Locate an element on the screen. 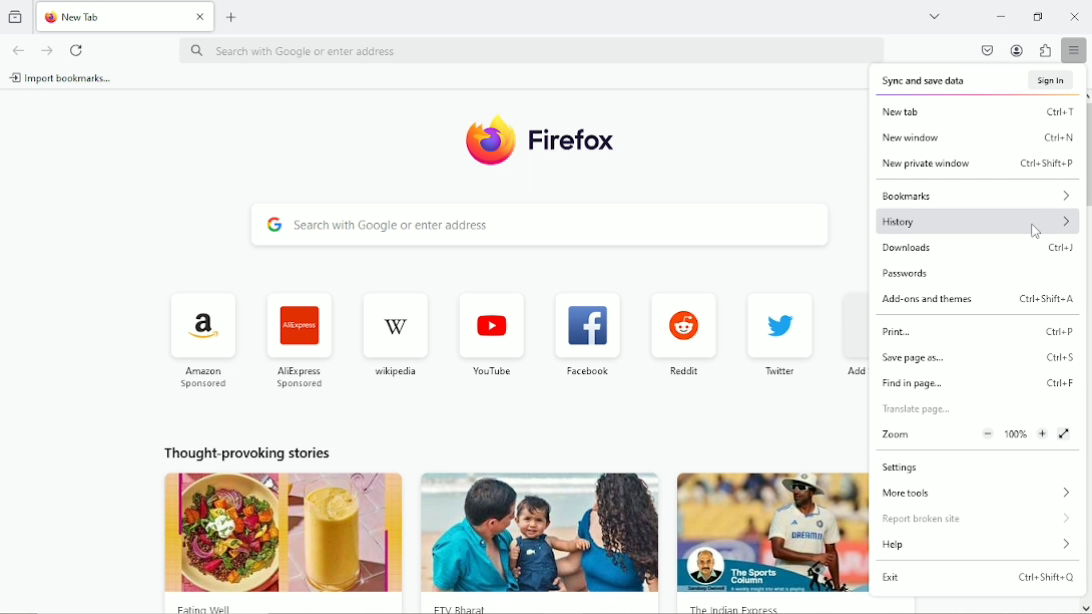  extensions is located at coordinates (1045, 51).